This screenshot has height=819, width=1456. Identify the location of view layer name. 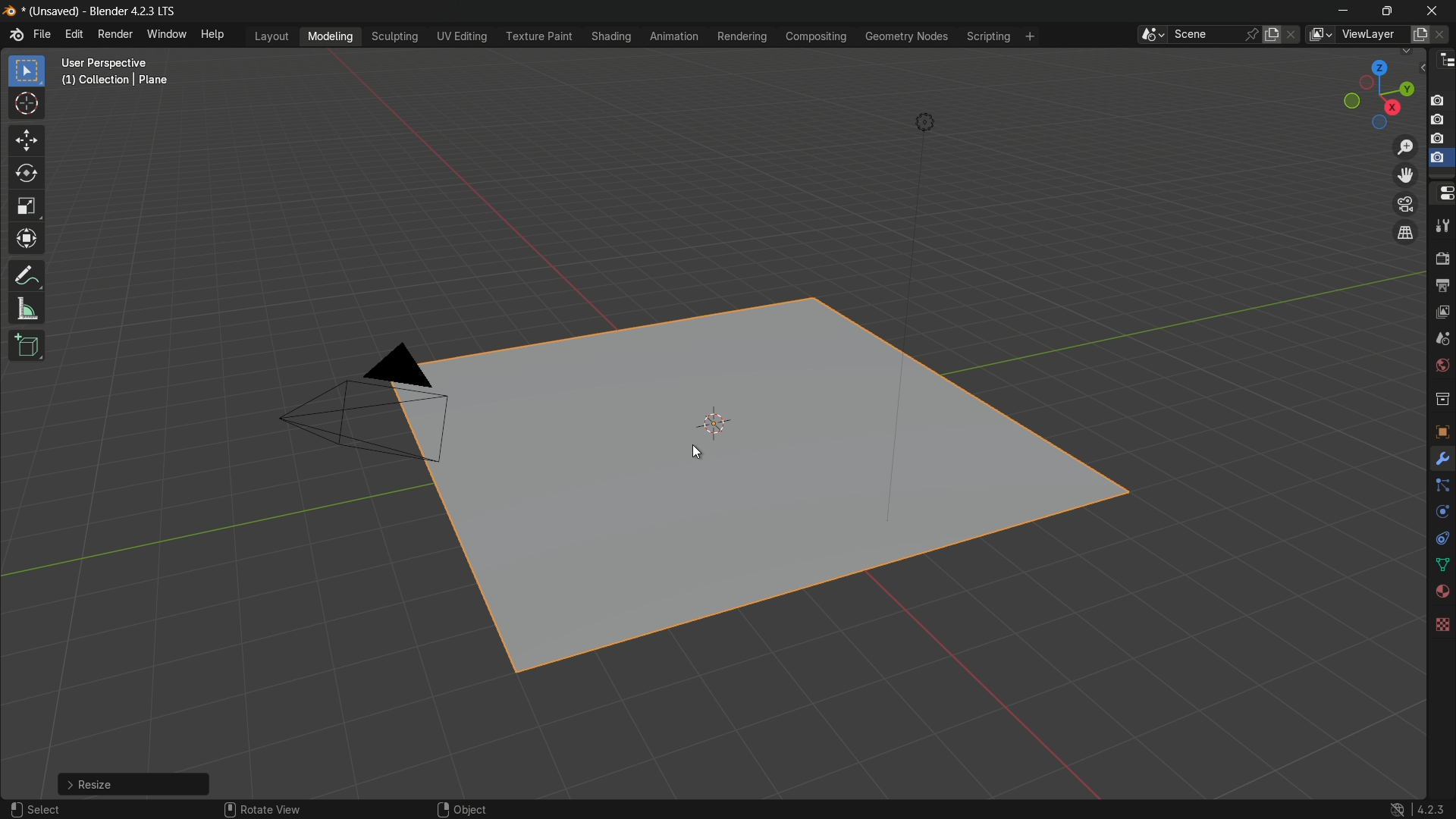
(1372, 33).